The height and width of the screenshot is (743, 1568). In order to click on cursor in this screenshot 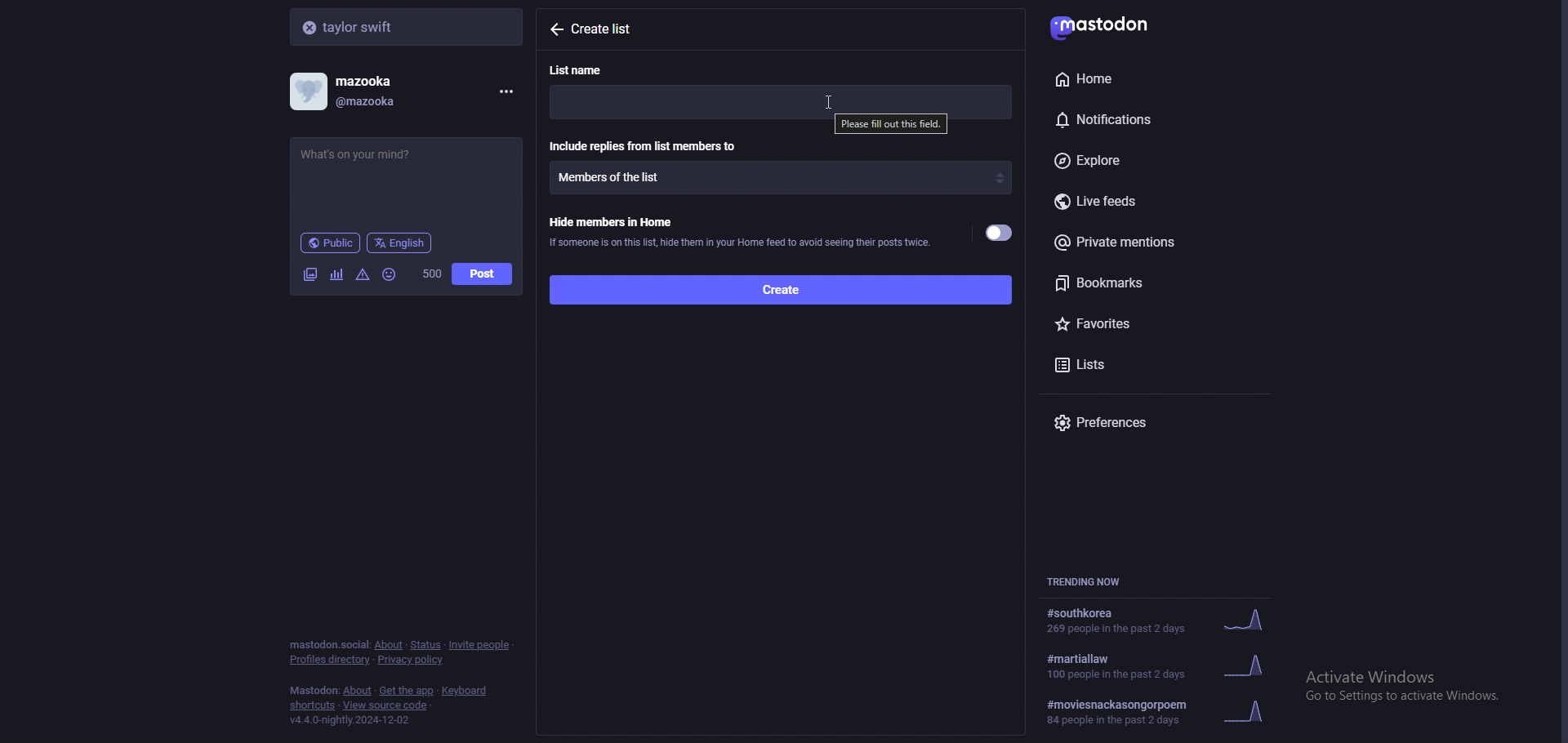, I will do `click(831, 102)`.